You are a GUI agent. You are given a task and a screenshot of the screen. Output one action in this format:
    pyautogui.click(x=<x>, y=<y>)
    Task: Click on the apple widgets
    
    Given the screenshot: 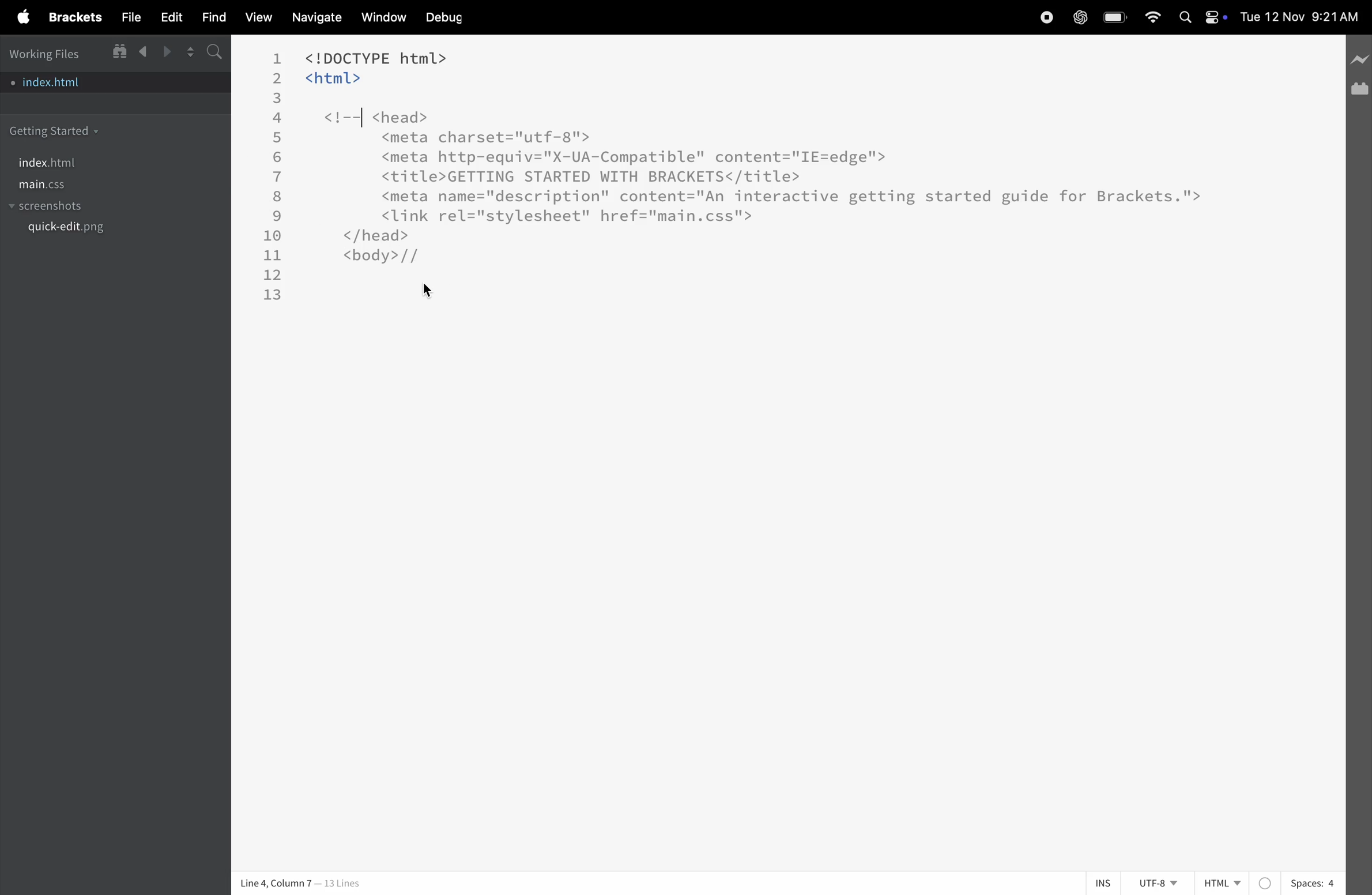 What is the action you would take?
    pyautogui.click(x=1203, y=18)
    